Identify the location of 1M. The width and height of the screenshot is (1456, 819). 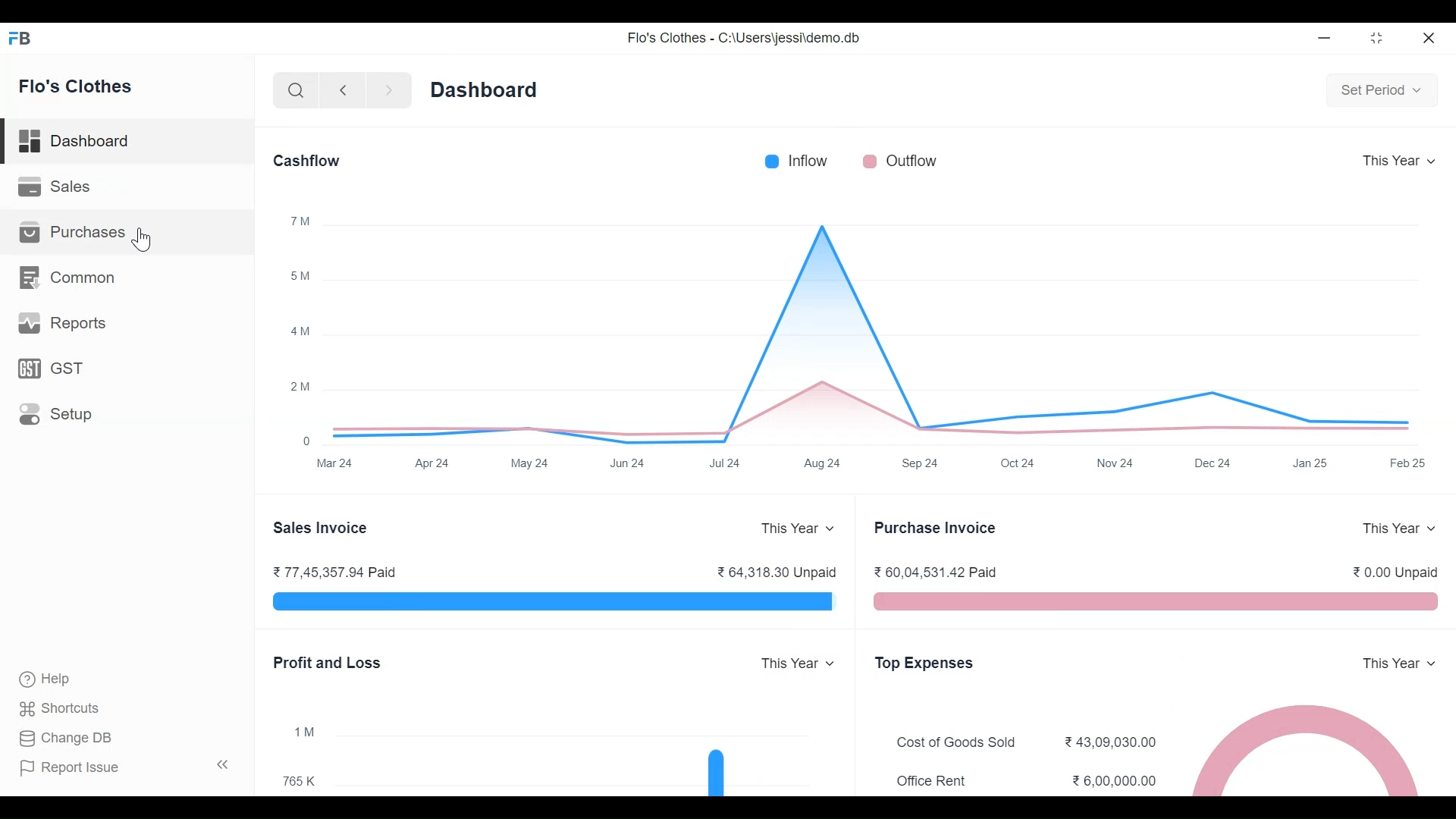
(302, 731).